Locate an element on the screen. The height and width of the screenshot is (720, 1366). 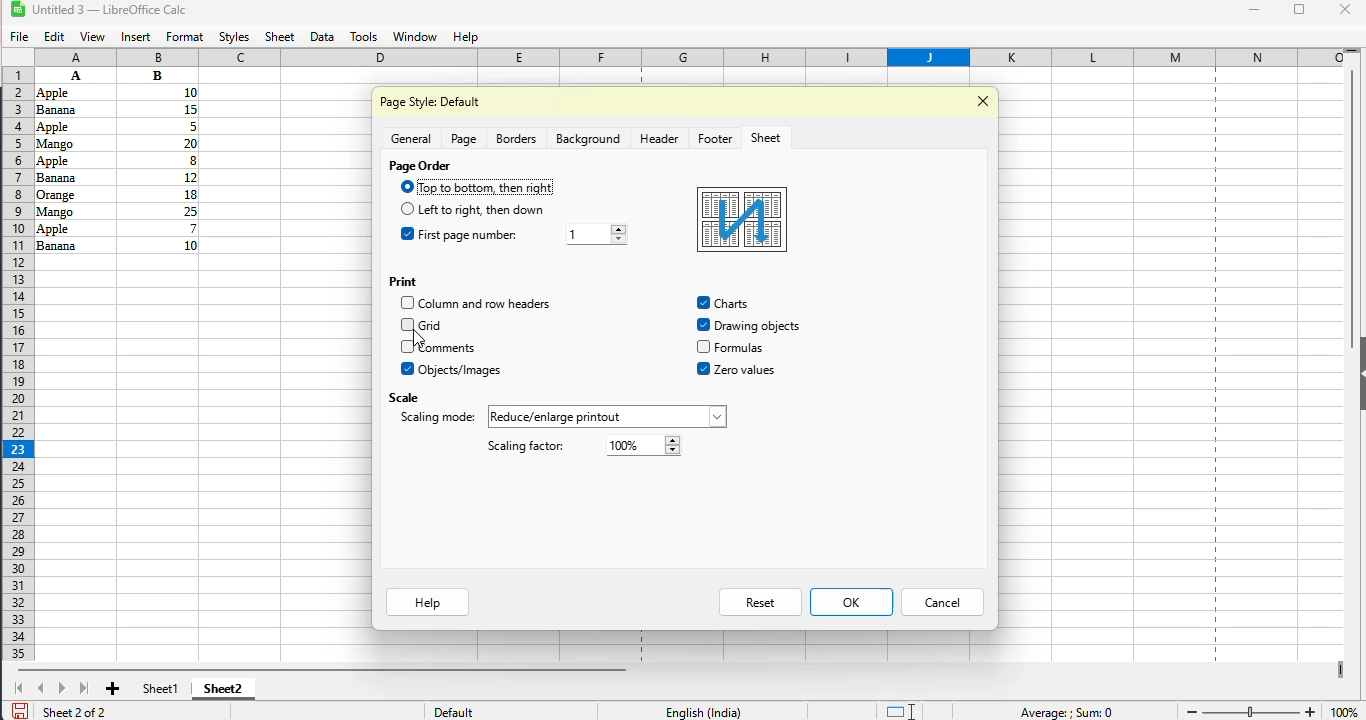
tools is located at coordinates (363, 37).